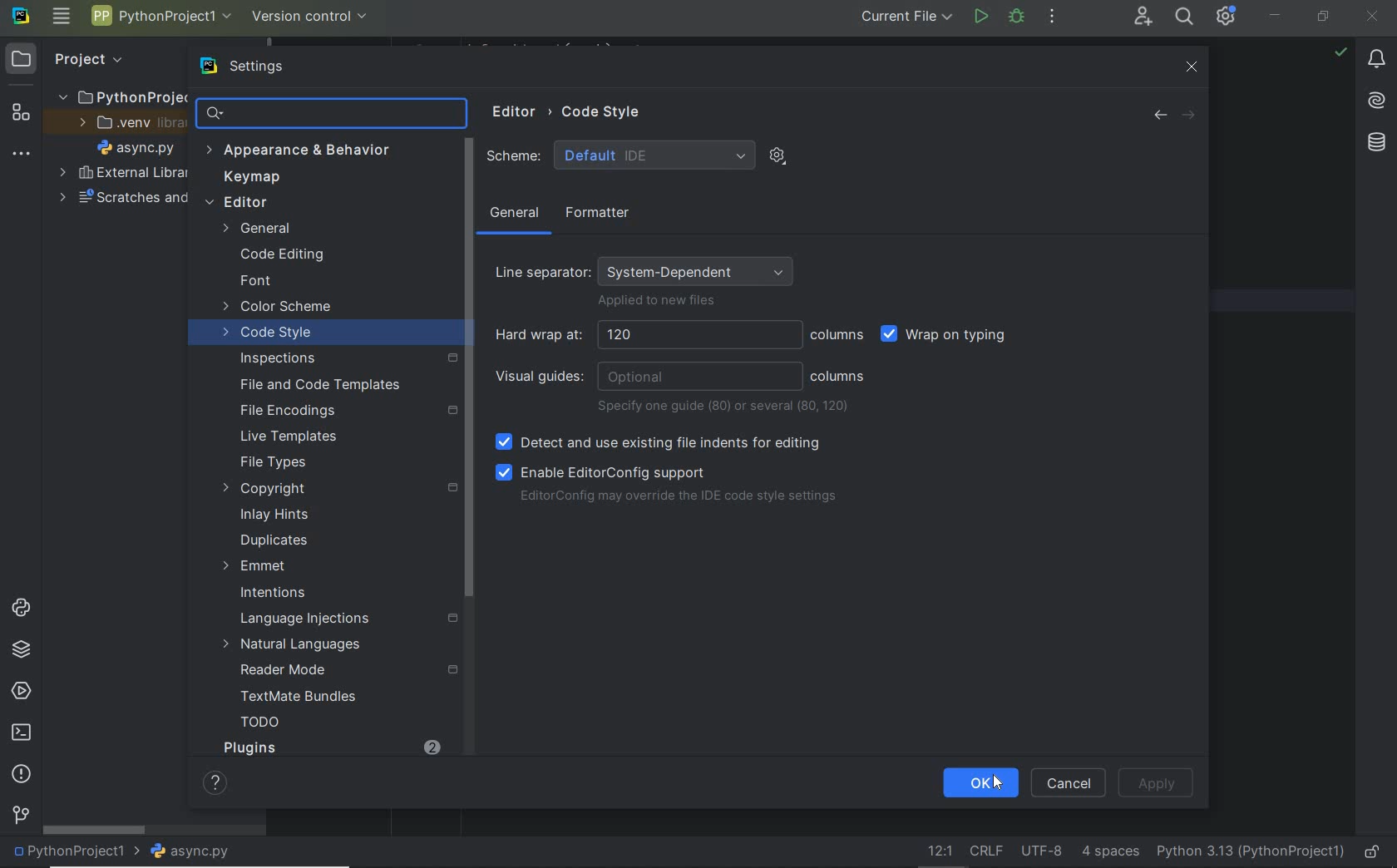 This screenshot has width=1397, height=868. What do you see at coordinates (286, 437) in the screenshot?
I see `Live Templates` at bounding box center [286, 437].